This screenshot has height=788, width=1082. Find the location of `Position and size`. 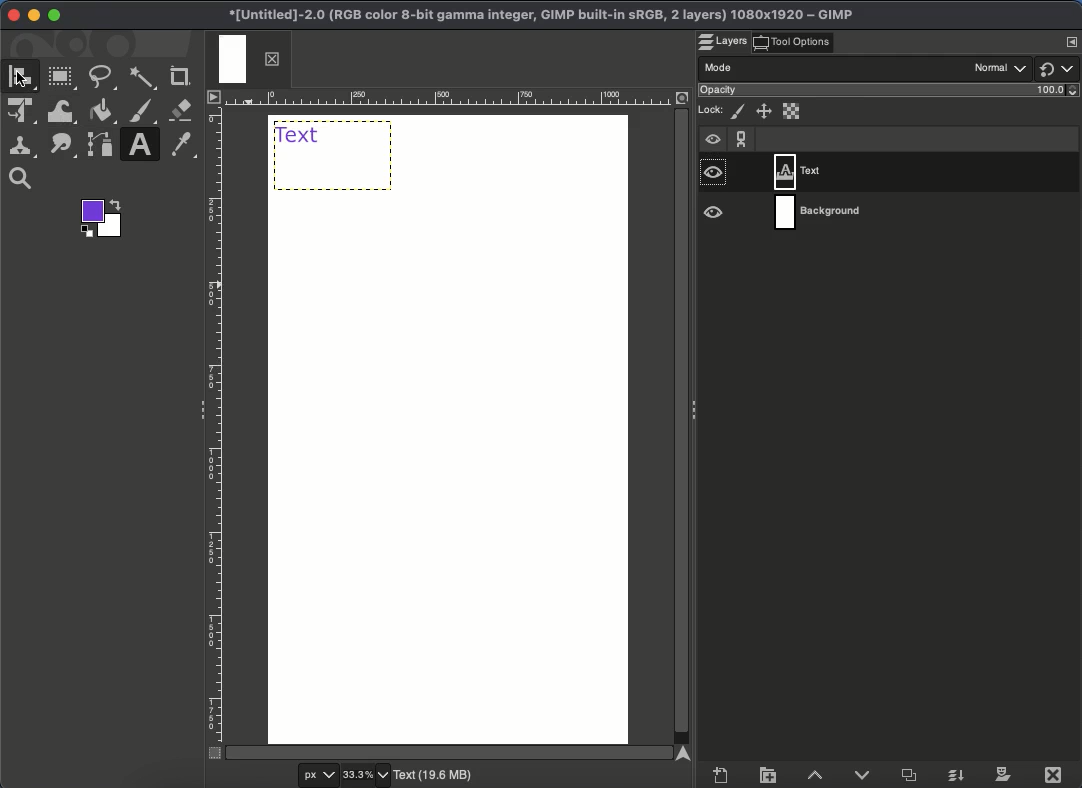

Position and size is located at coordinates (762, 111).